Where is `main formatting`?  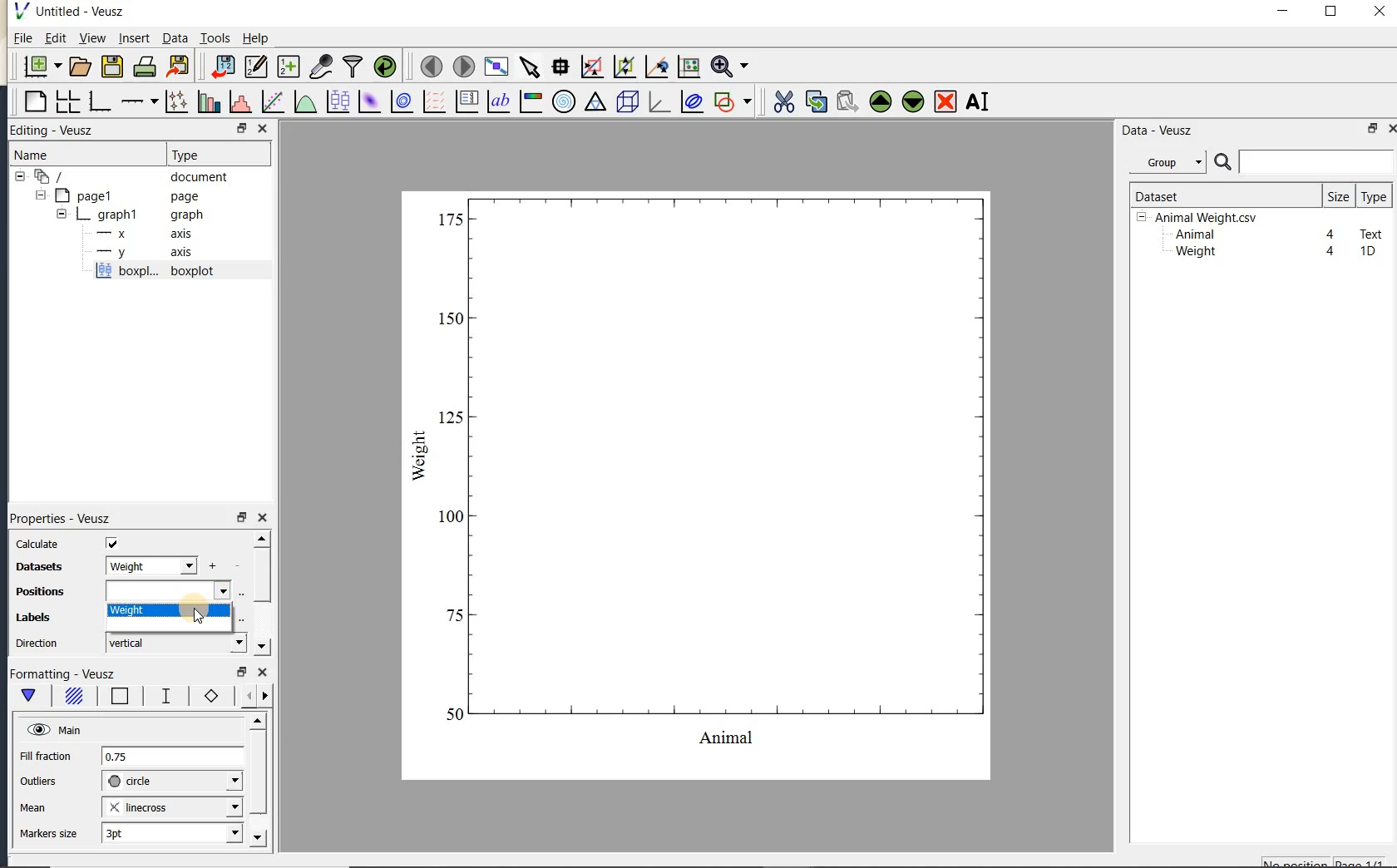
main formatting is located at coordinates (28, 698).